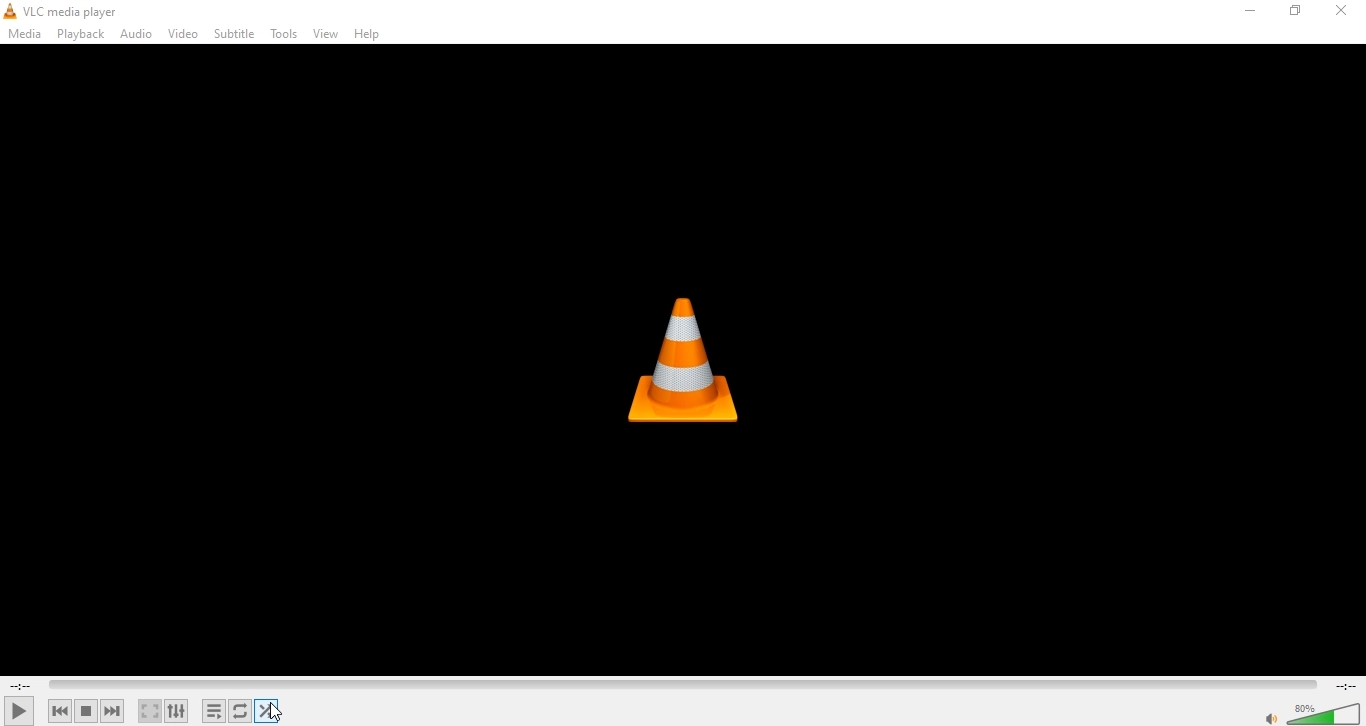 This screenshot has width=1366, height=726. I want to click on help, so click(372, 34).